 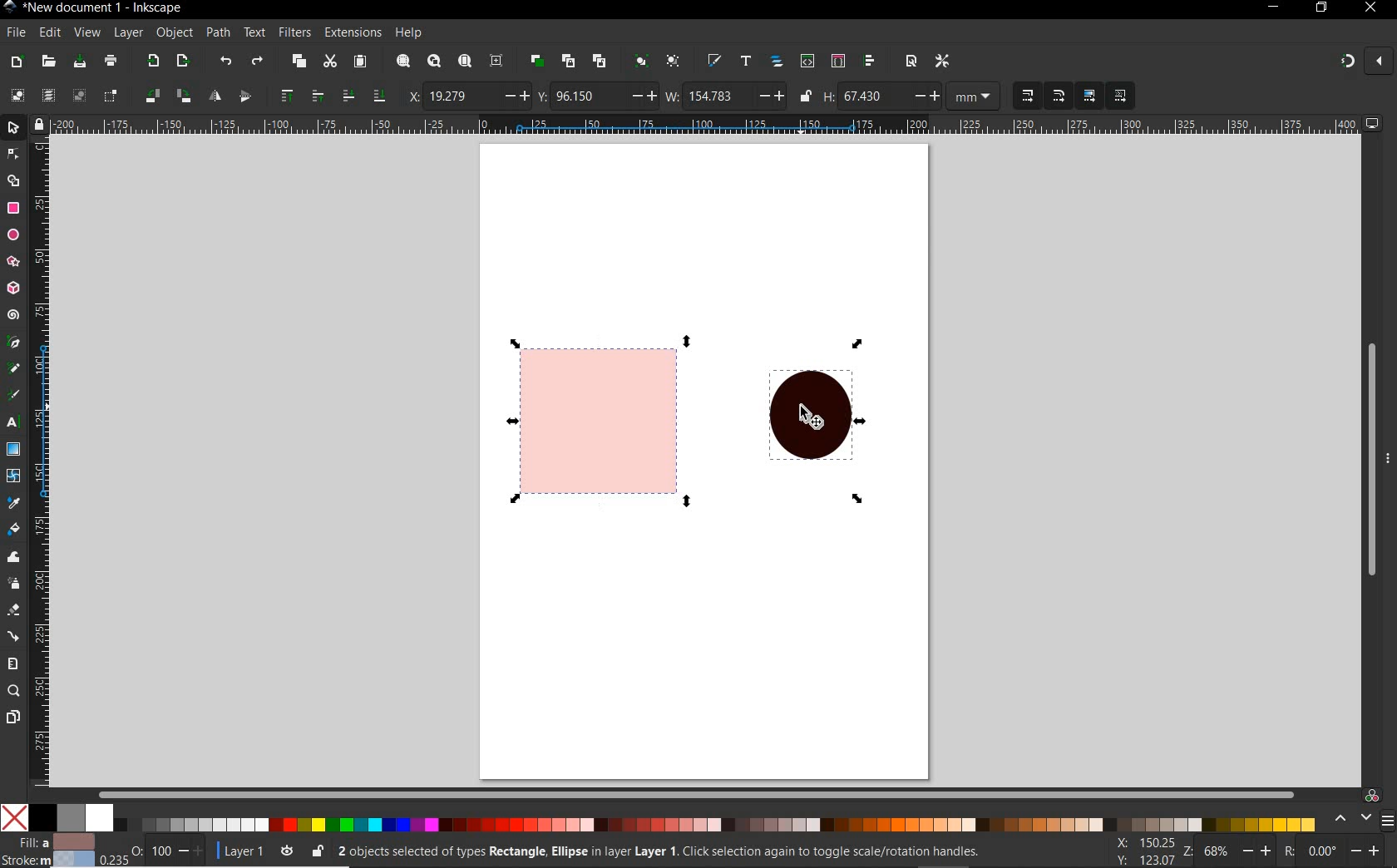 What do you see at coordinates (807, 418) in the screenshot?
I see `cursor` at bounding box center [807, 418].